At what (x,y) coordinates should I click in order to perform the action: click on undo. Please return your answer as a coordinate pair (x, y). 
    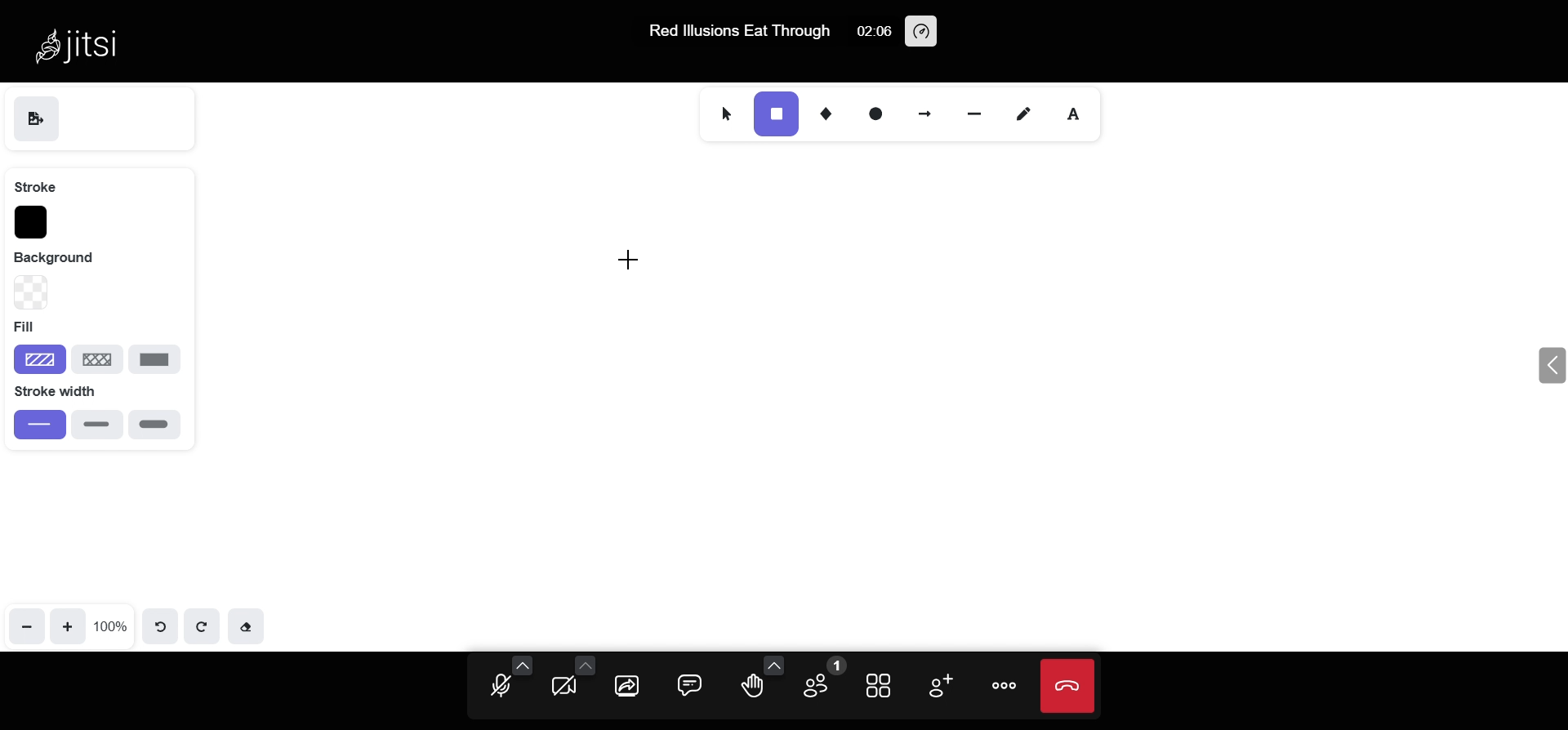
    Looking at the image, I should click on (165, 625).